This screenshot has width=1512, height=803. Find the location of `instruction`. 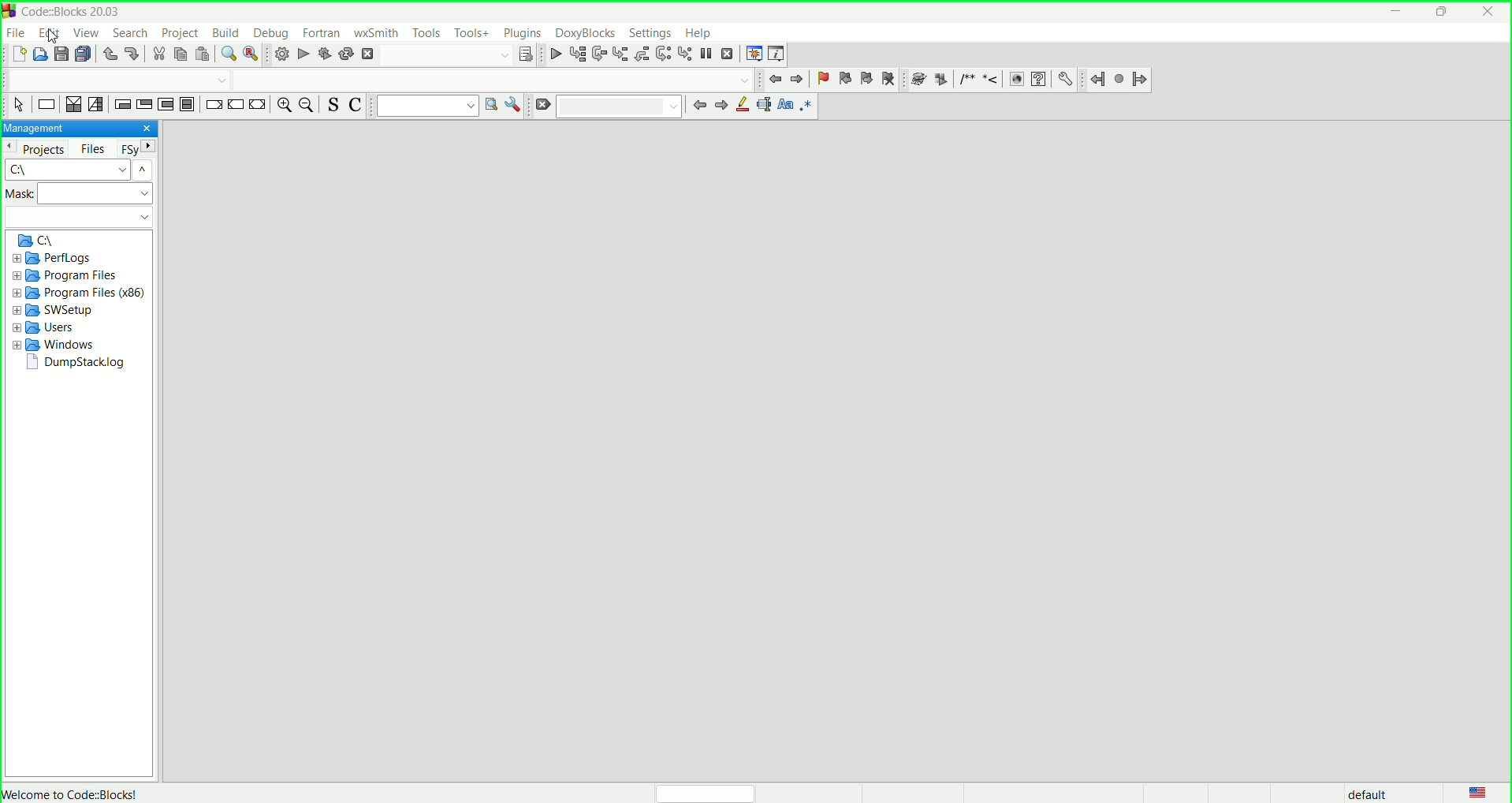

instruction is located at coordinates (44, 106).